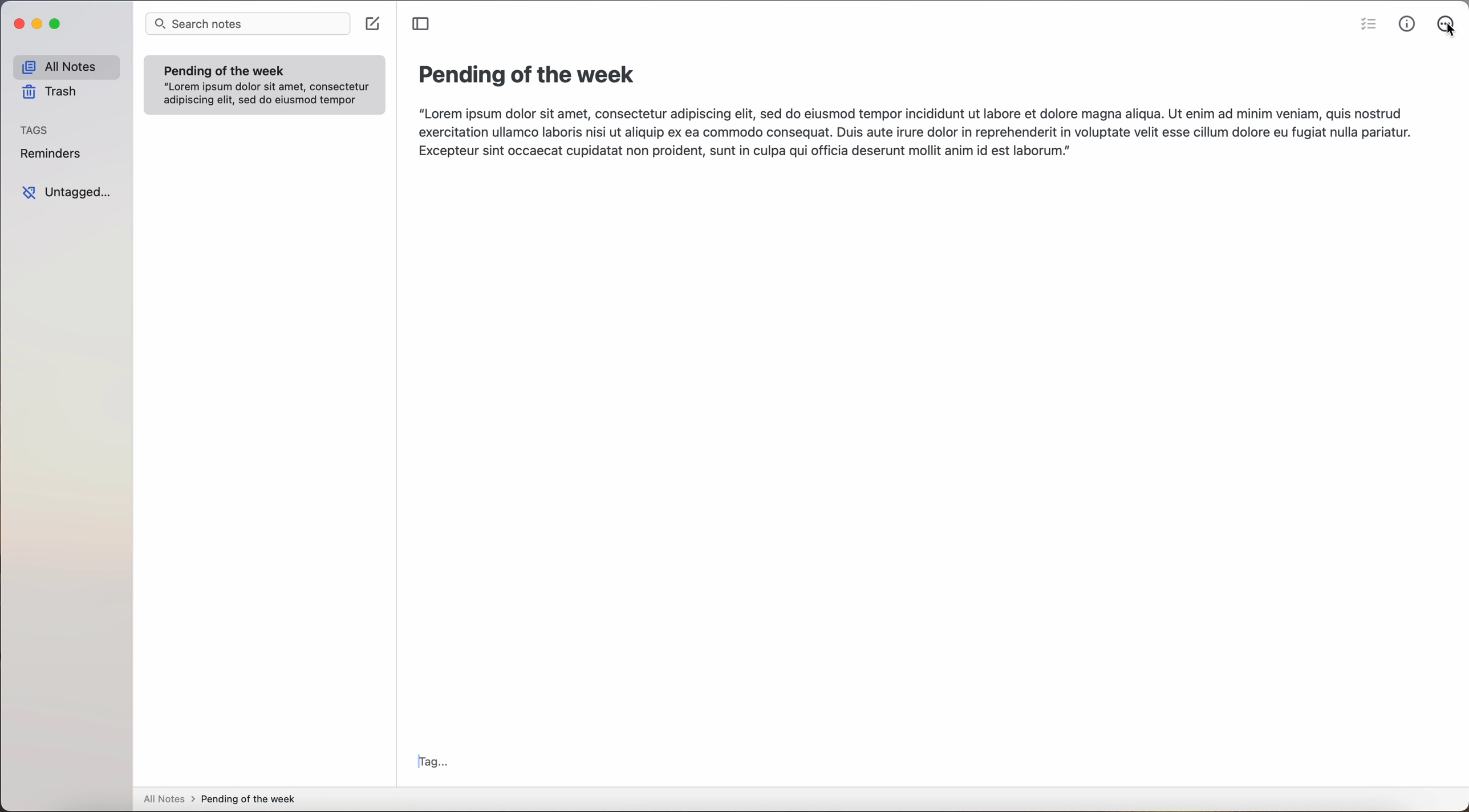 The width and height of the screenshot is (1469, 812). Describe the element at coordinates (1444, 19) in the screenshot. I see `more options` at that location.